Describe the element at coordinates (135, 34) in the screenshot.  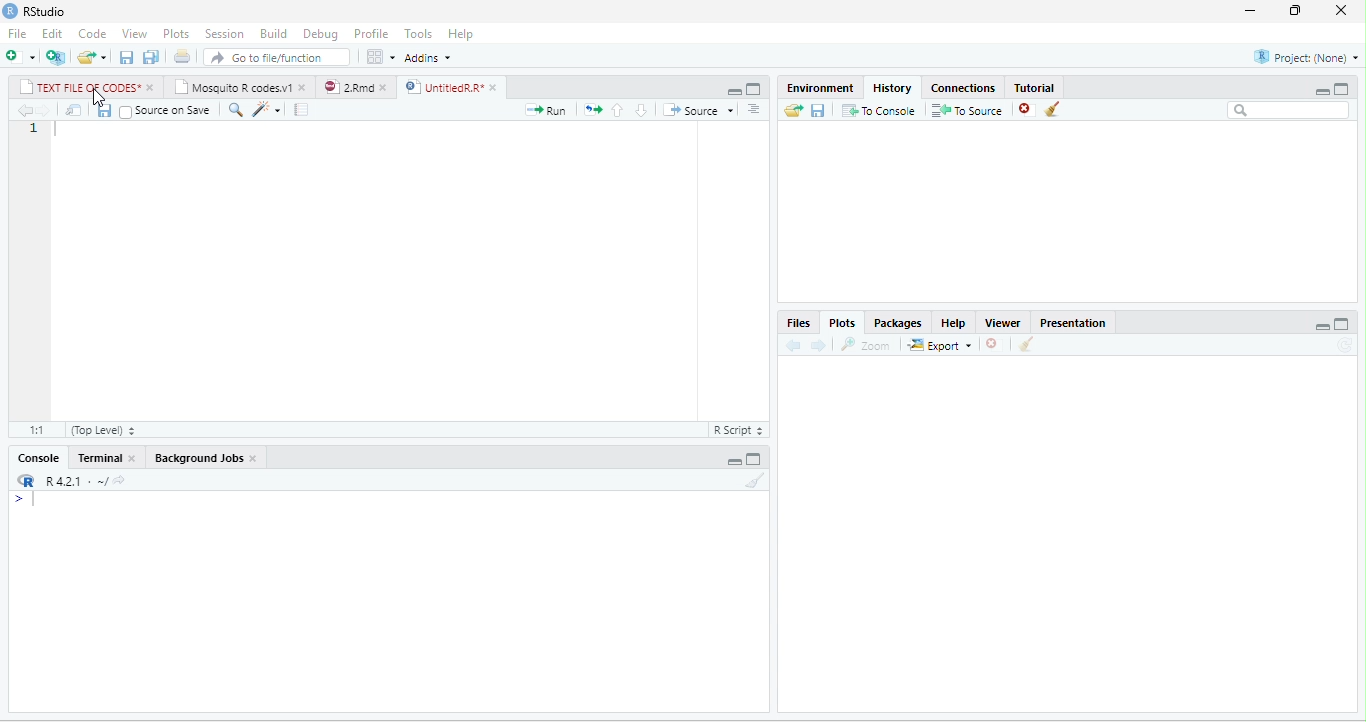
I see `View` at that location.